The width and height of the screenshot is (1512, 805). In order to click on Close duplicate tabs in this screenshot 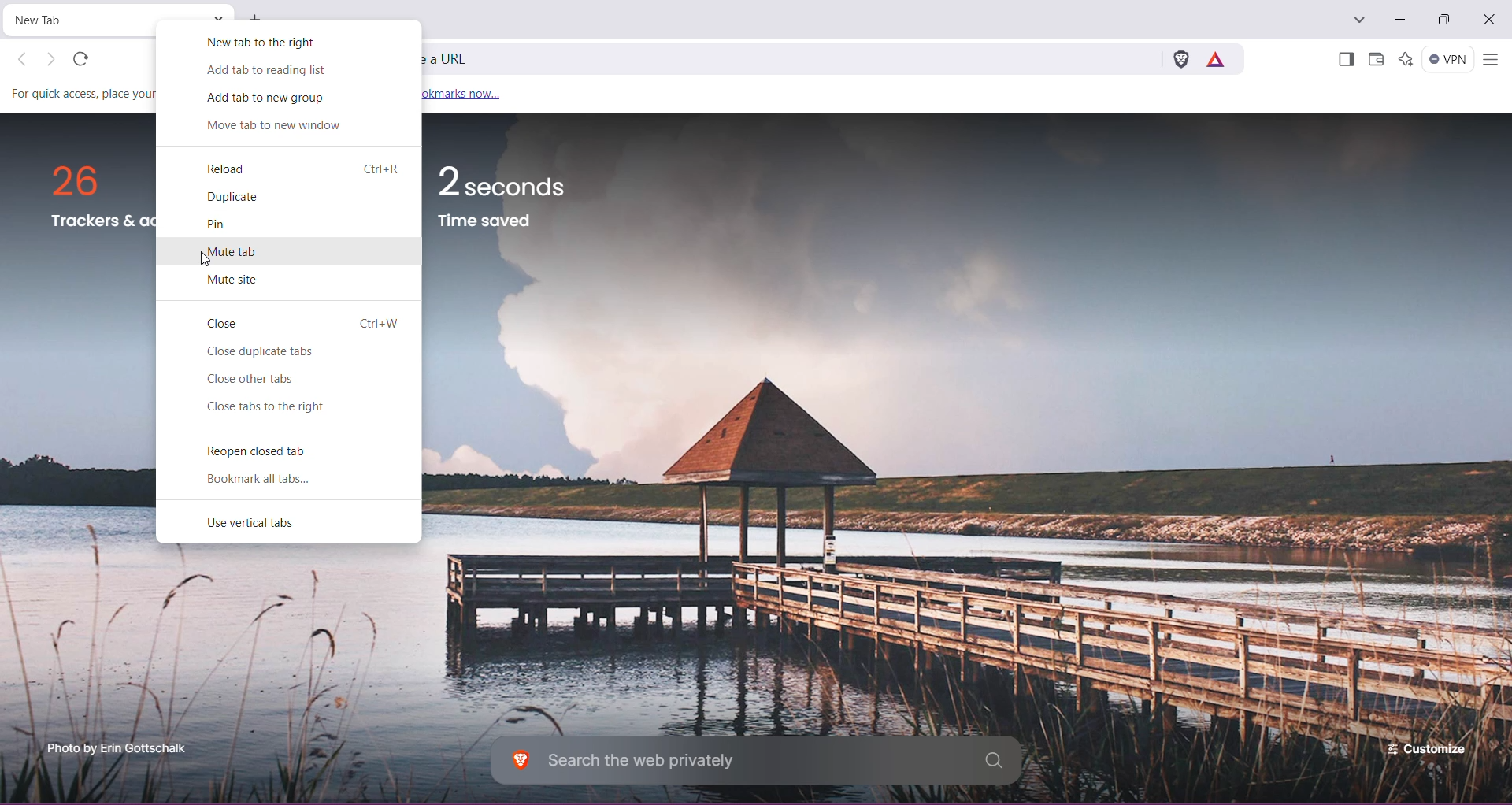, I will do `click(264, 352)`.